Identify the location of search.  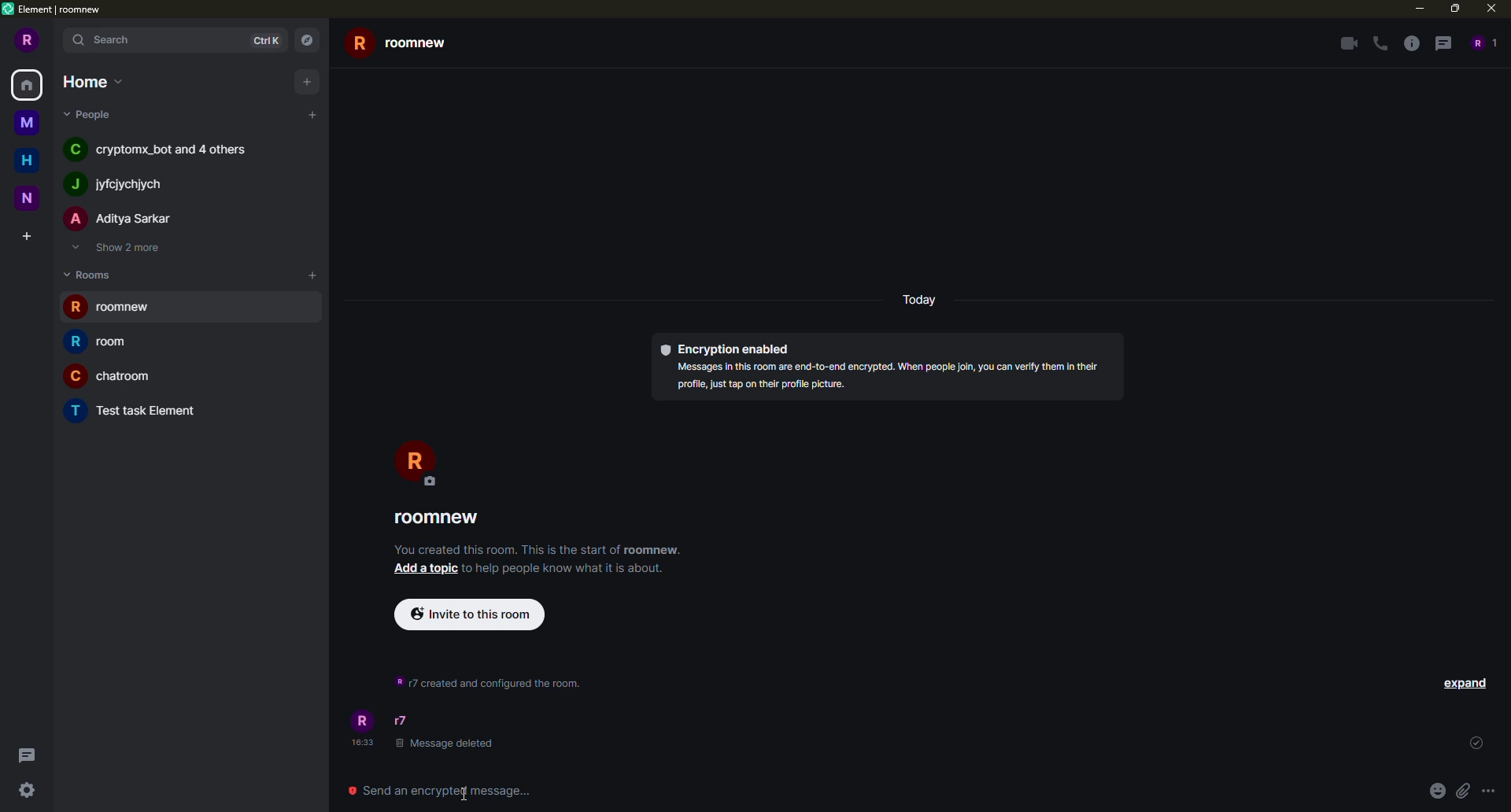
(114, 42).